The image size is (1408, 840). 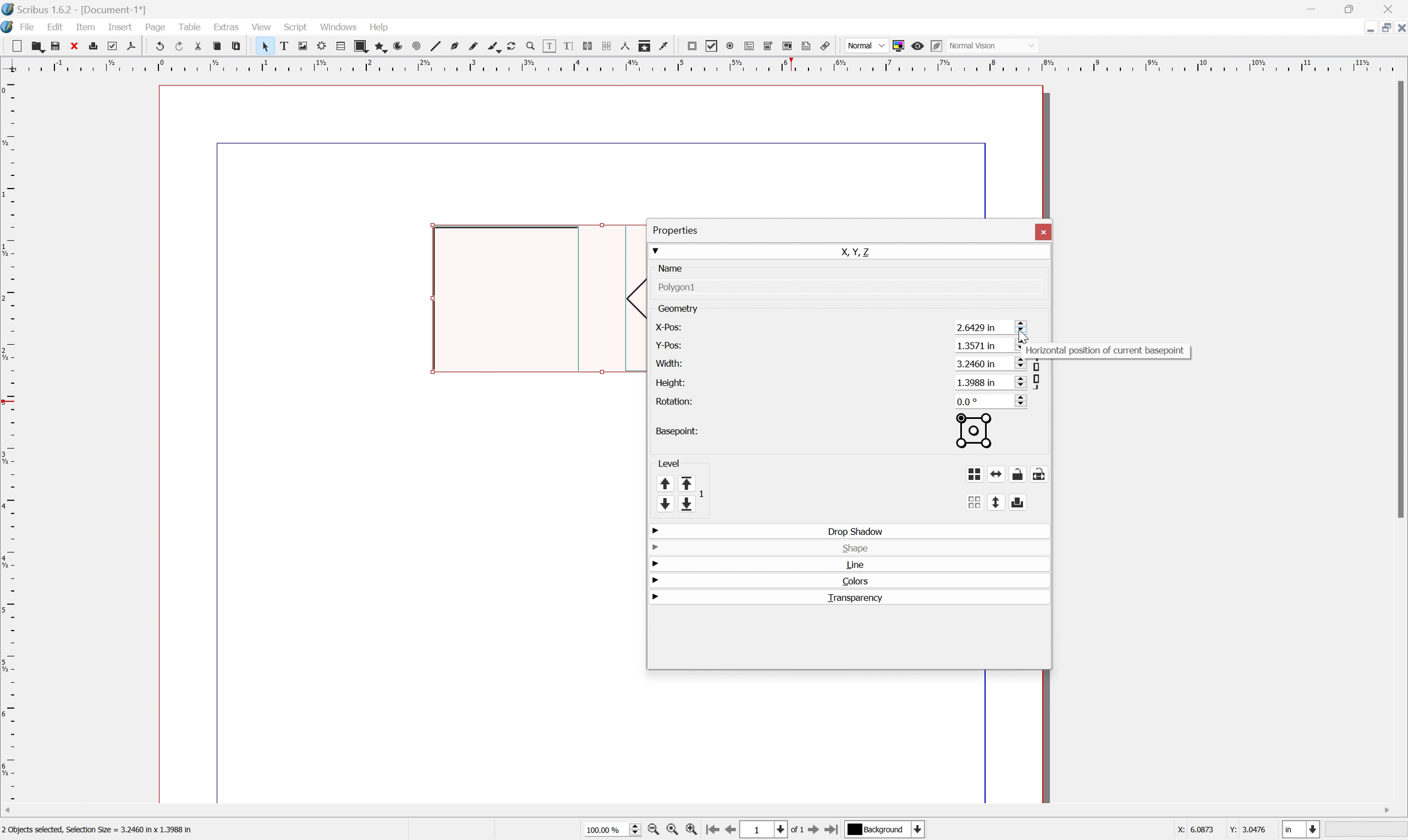 I want to click on redo, so click(x=177, y=47).